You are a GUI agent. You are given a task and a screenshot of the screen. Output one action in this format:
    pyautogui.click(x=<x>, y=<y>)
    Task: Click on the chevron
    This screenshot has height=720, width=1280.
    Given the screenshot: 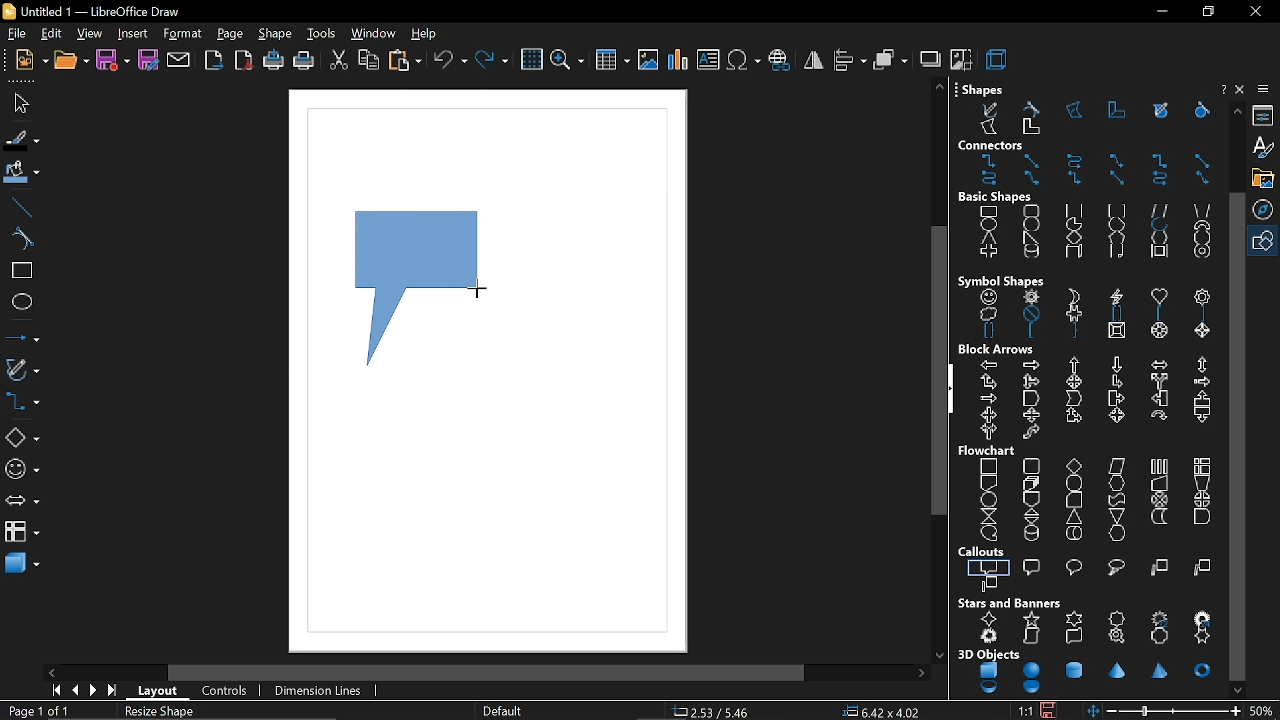 What is the action you would take?
    pyautogui.click(x=1074, y=398)
    